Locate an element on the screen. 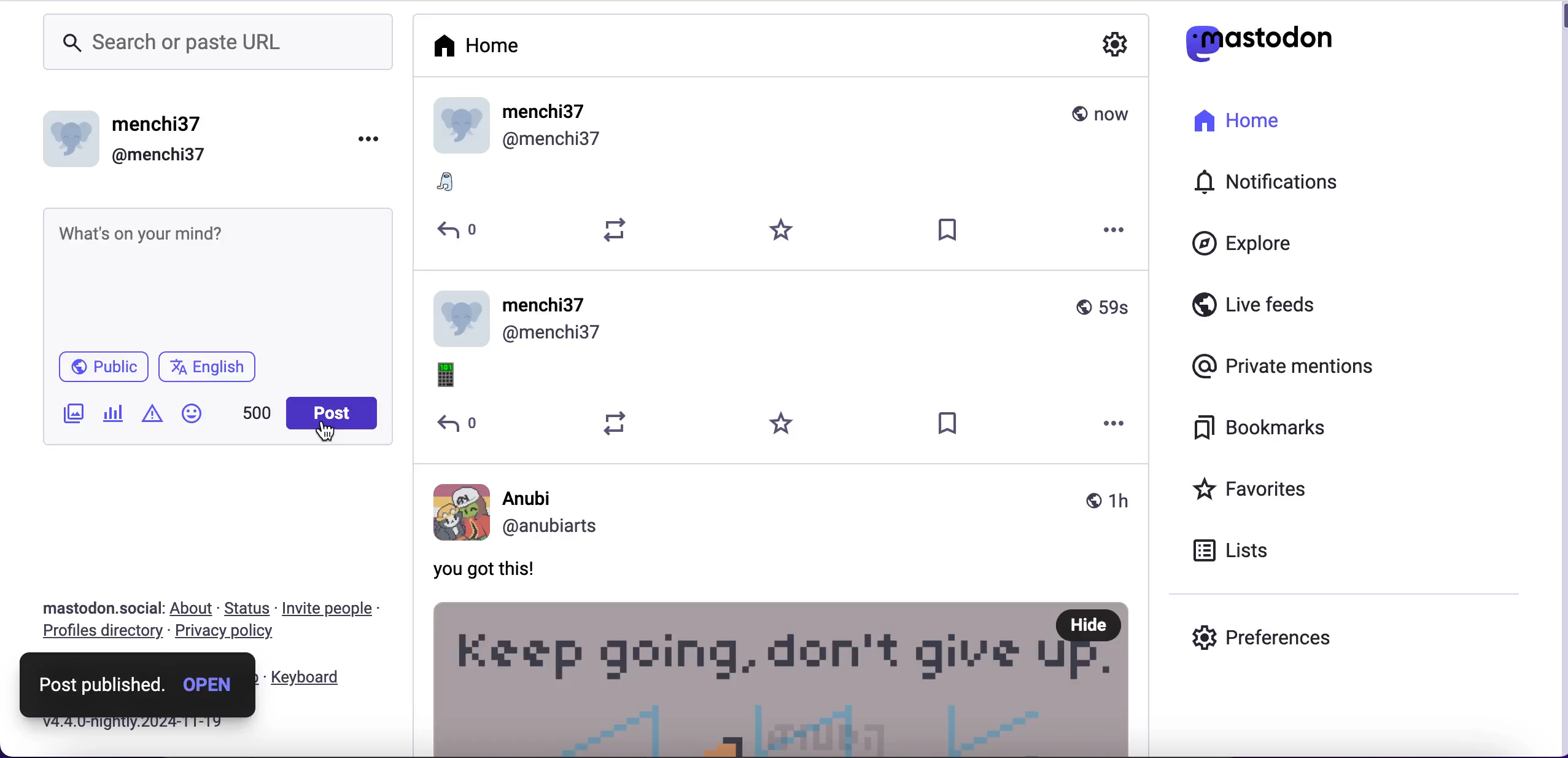  favorites is located at coordinates (783, 231).